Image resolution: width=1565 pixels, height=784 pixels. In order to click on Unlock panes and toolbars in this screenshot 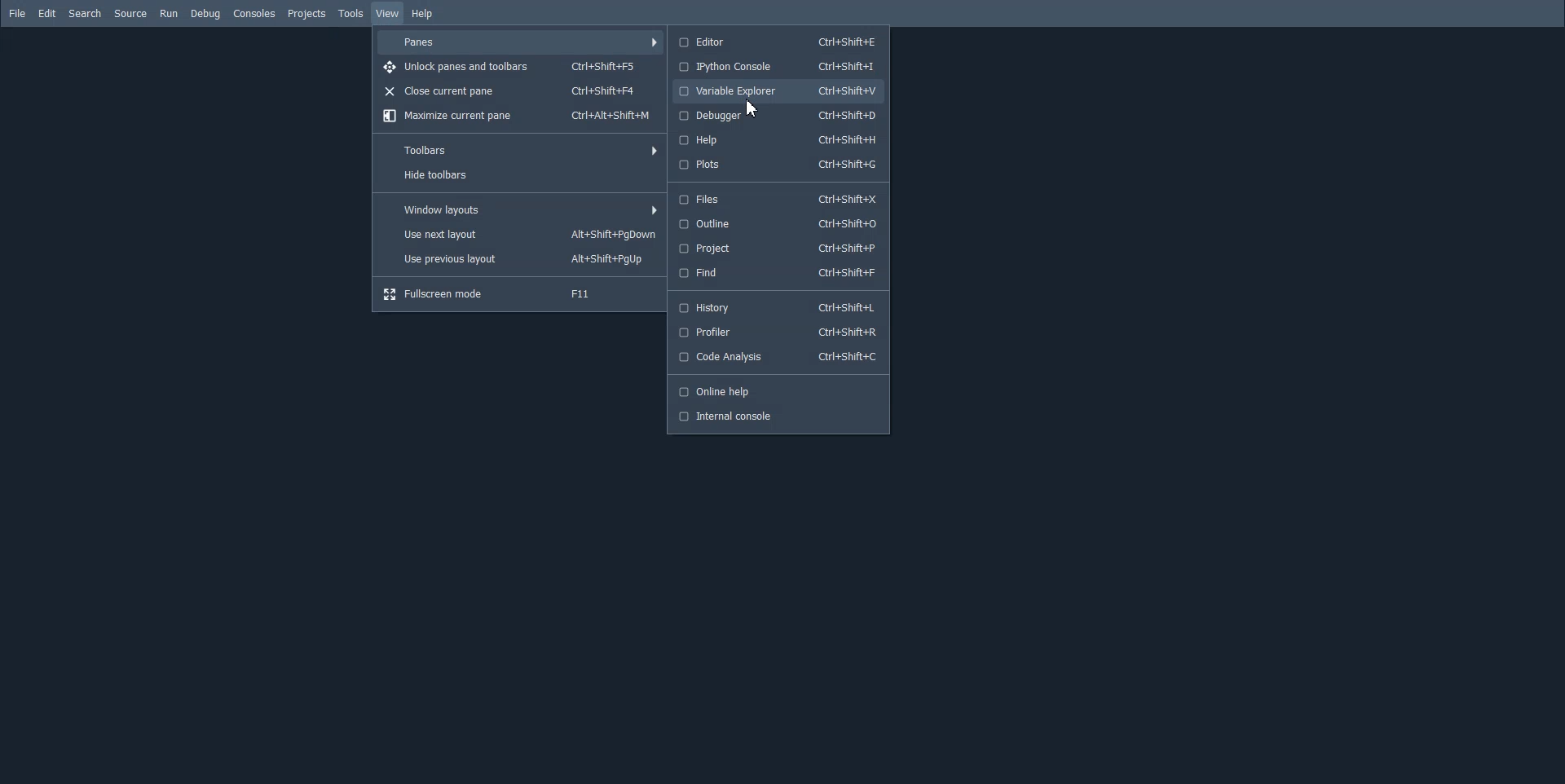, I will do `click(519, 67)`.